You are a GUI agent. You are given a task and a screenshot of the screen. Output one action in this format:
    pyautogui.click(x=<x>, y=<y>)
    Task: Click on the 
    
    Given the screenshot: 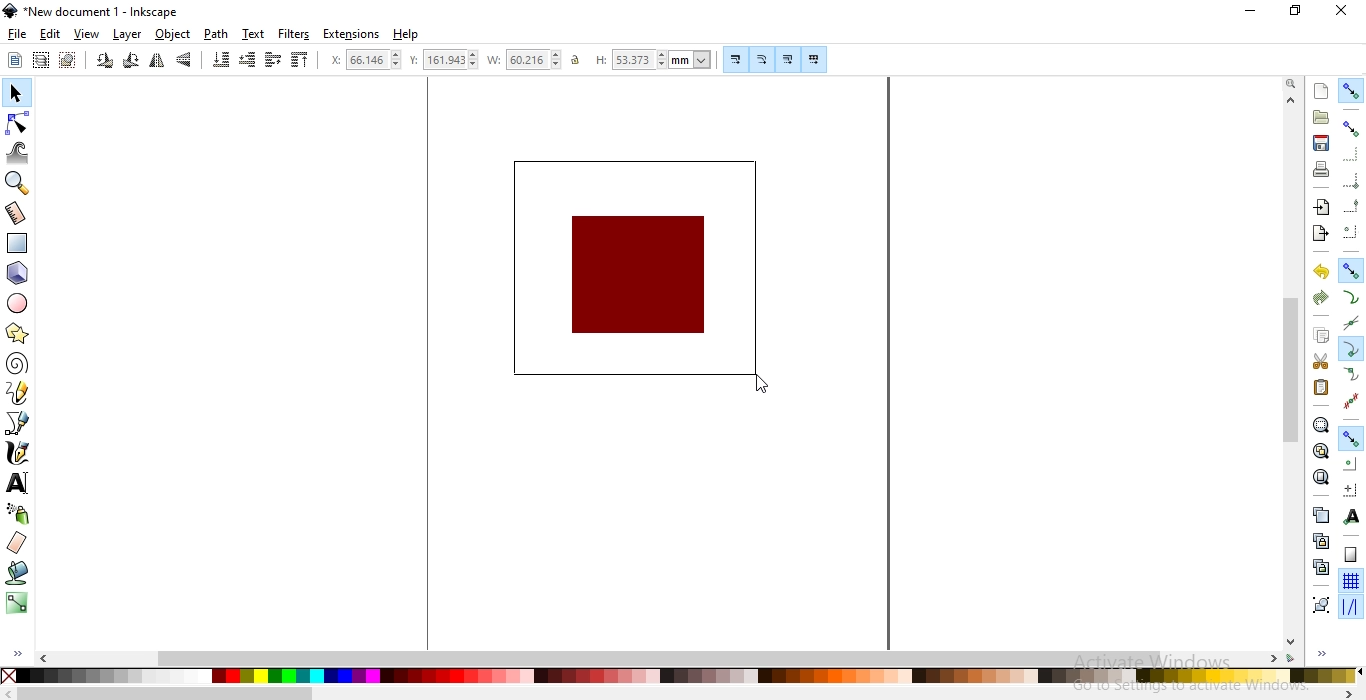 What is the action you would take?
    pyautogui.click(x=166, y=693)
    